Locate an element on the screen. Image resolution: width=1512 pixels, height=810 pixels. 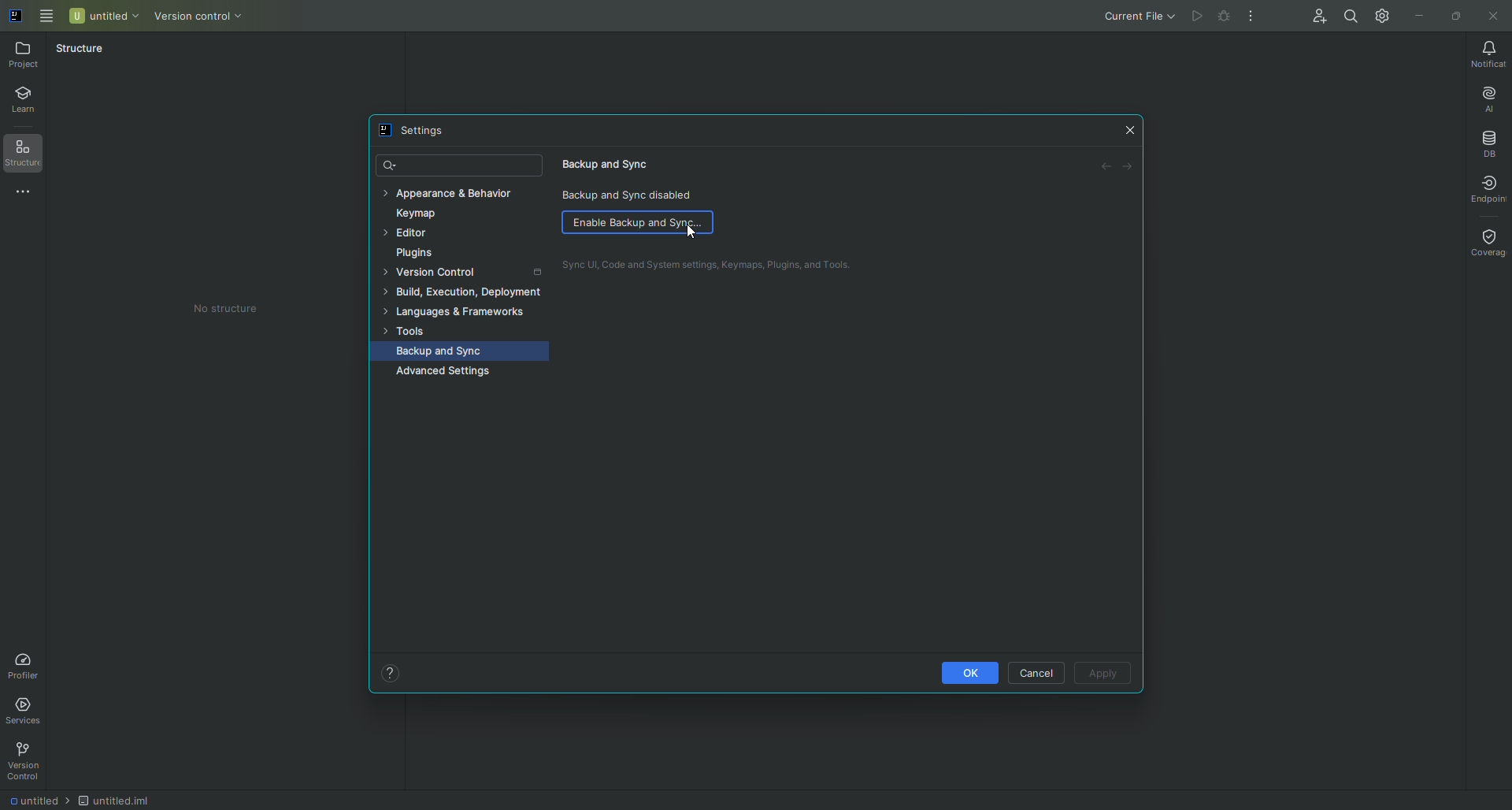
Enable Backup is located at coordinates (634, 225).